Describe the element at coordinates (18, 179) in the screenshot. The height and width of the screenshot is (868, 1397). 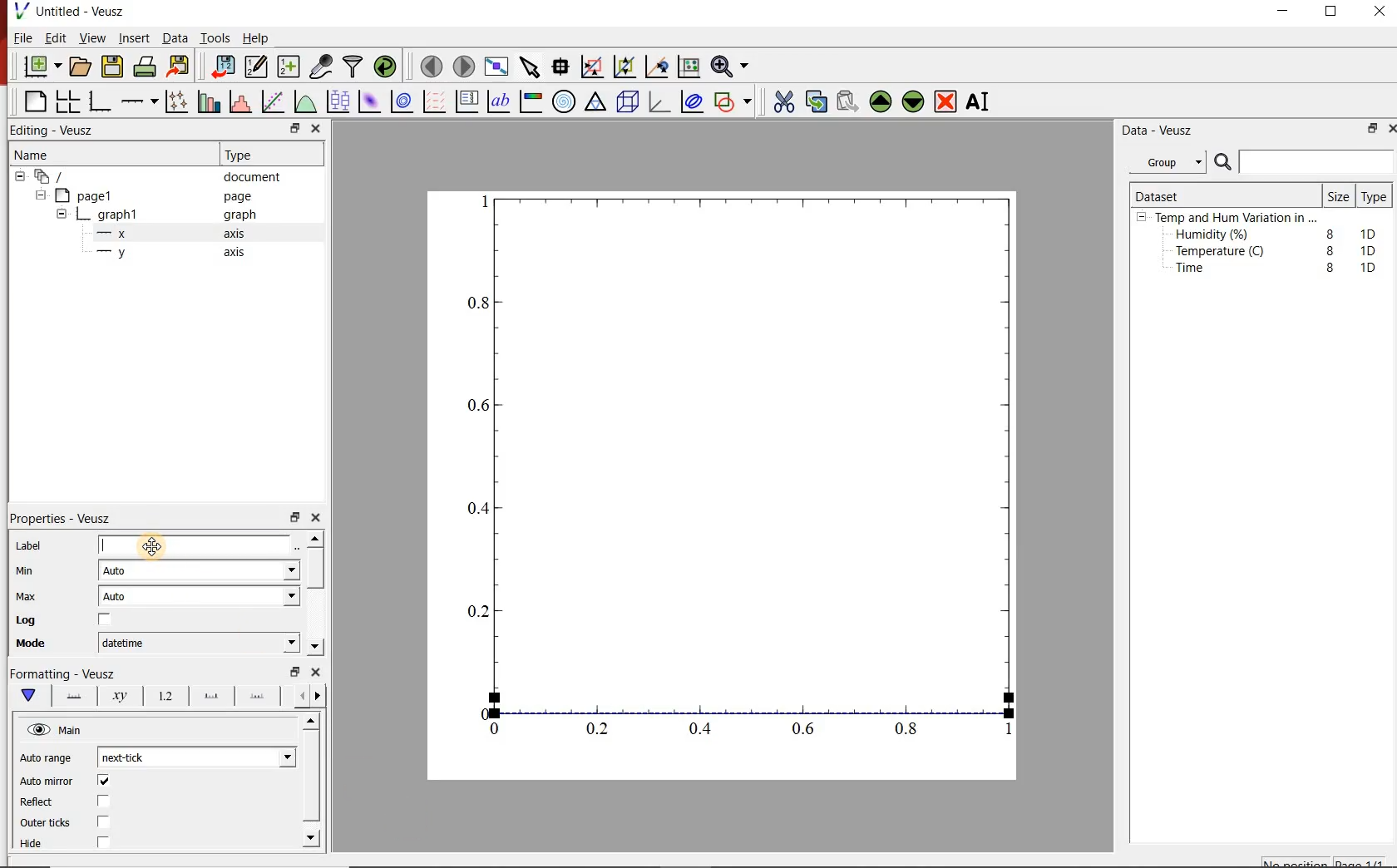
I see `hide sub menu` at that location.